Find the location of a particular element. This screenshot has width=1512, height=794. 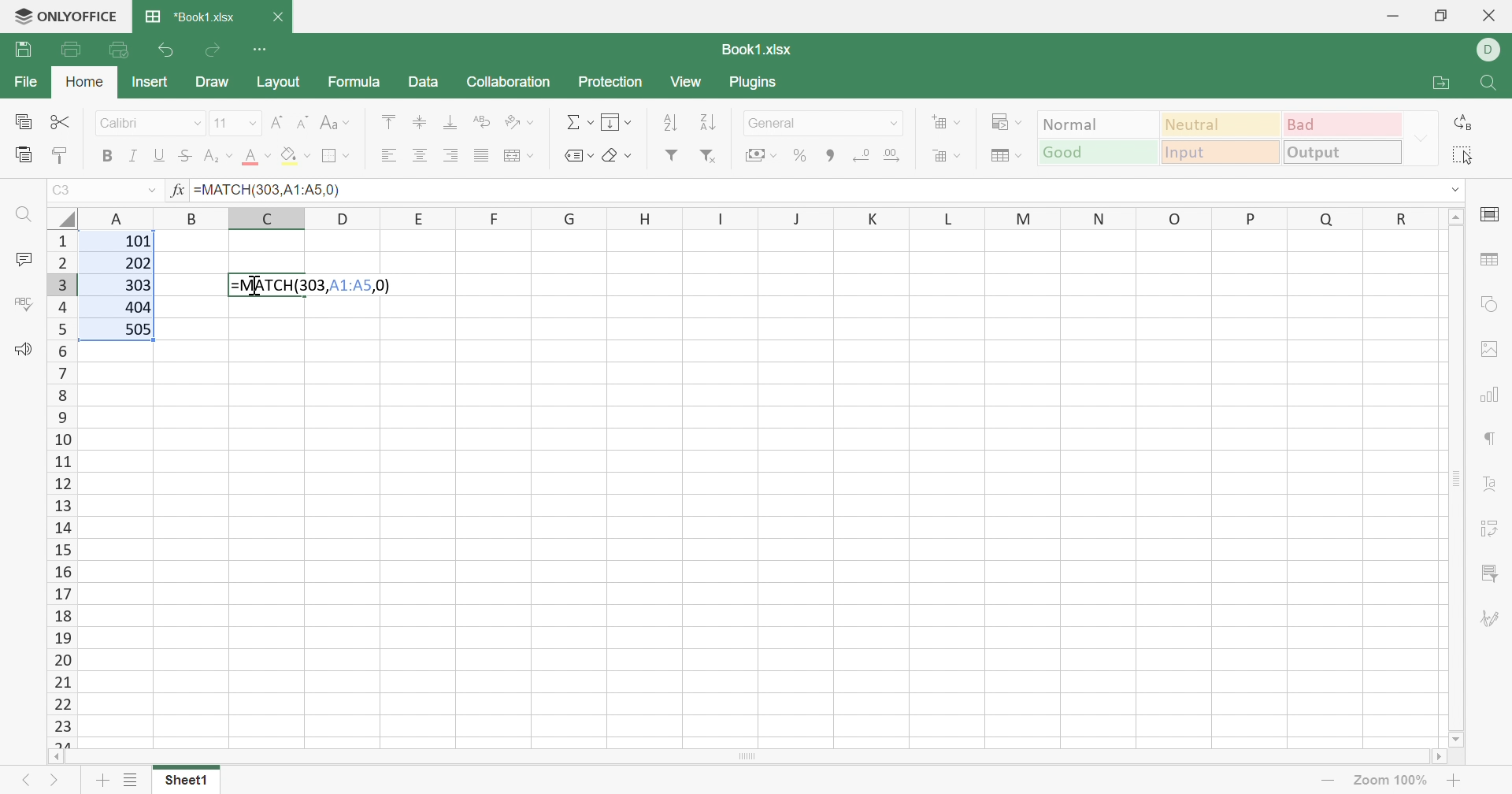

Decrement font size is located at coordinates (301, 121).